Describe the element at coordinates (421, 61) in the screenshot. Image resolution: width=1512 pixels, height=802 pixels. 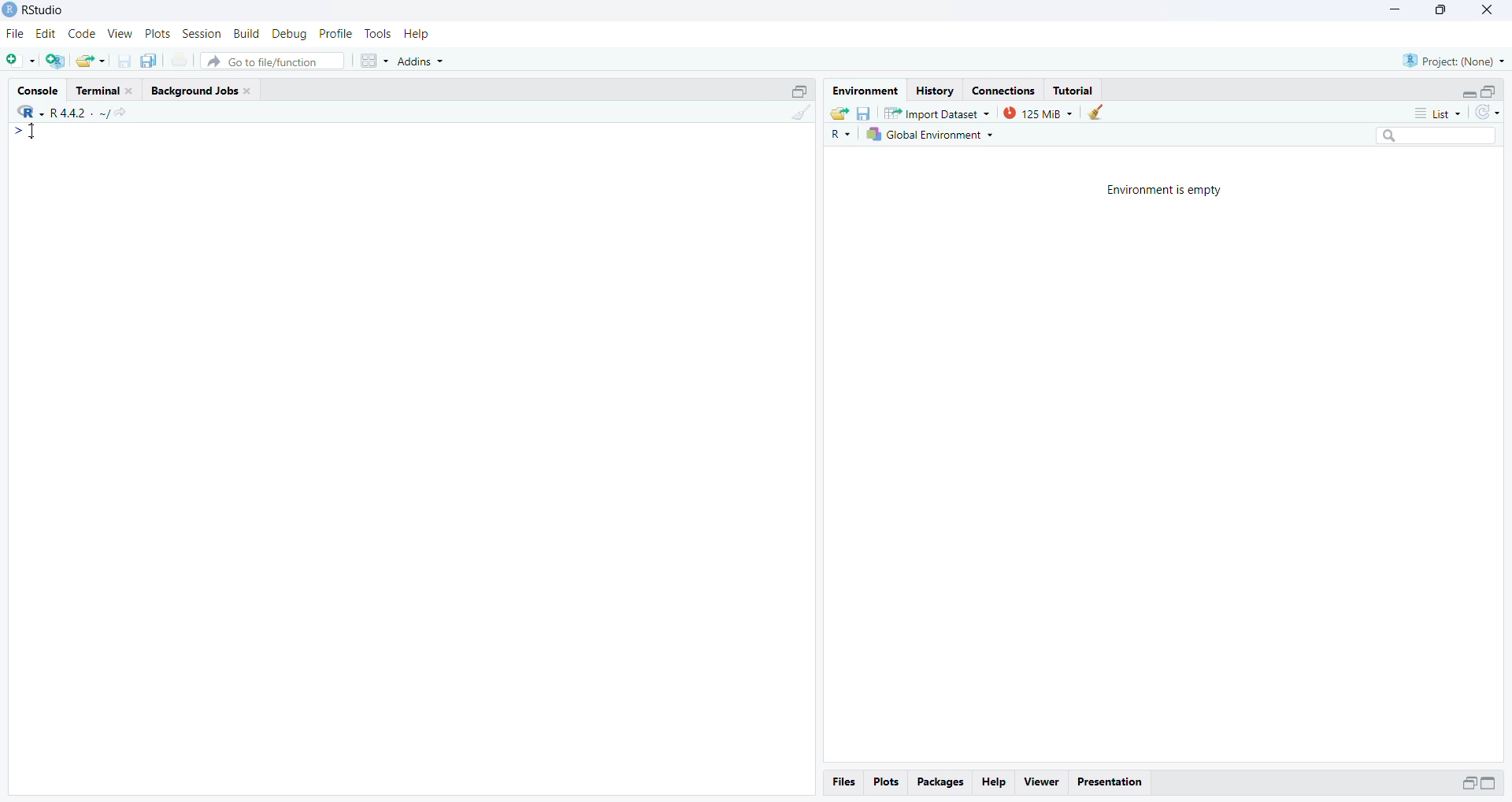
I see `Addins` at that location.